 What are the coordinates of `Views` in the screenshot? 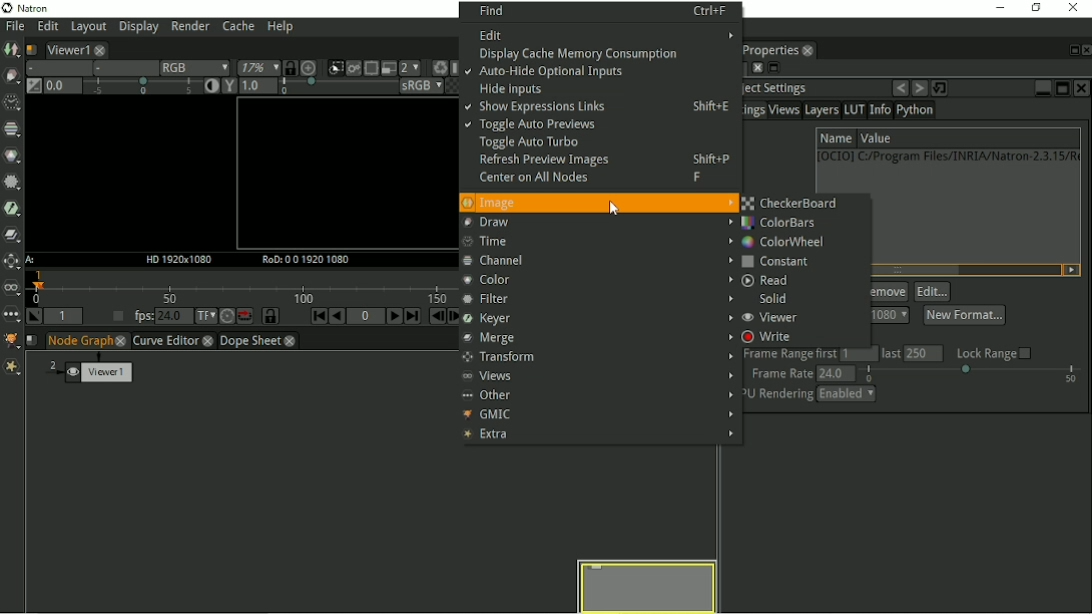 It's located at (13, 288).